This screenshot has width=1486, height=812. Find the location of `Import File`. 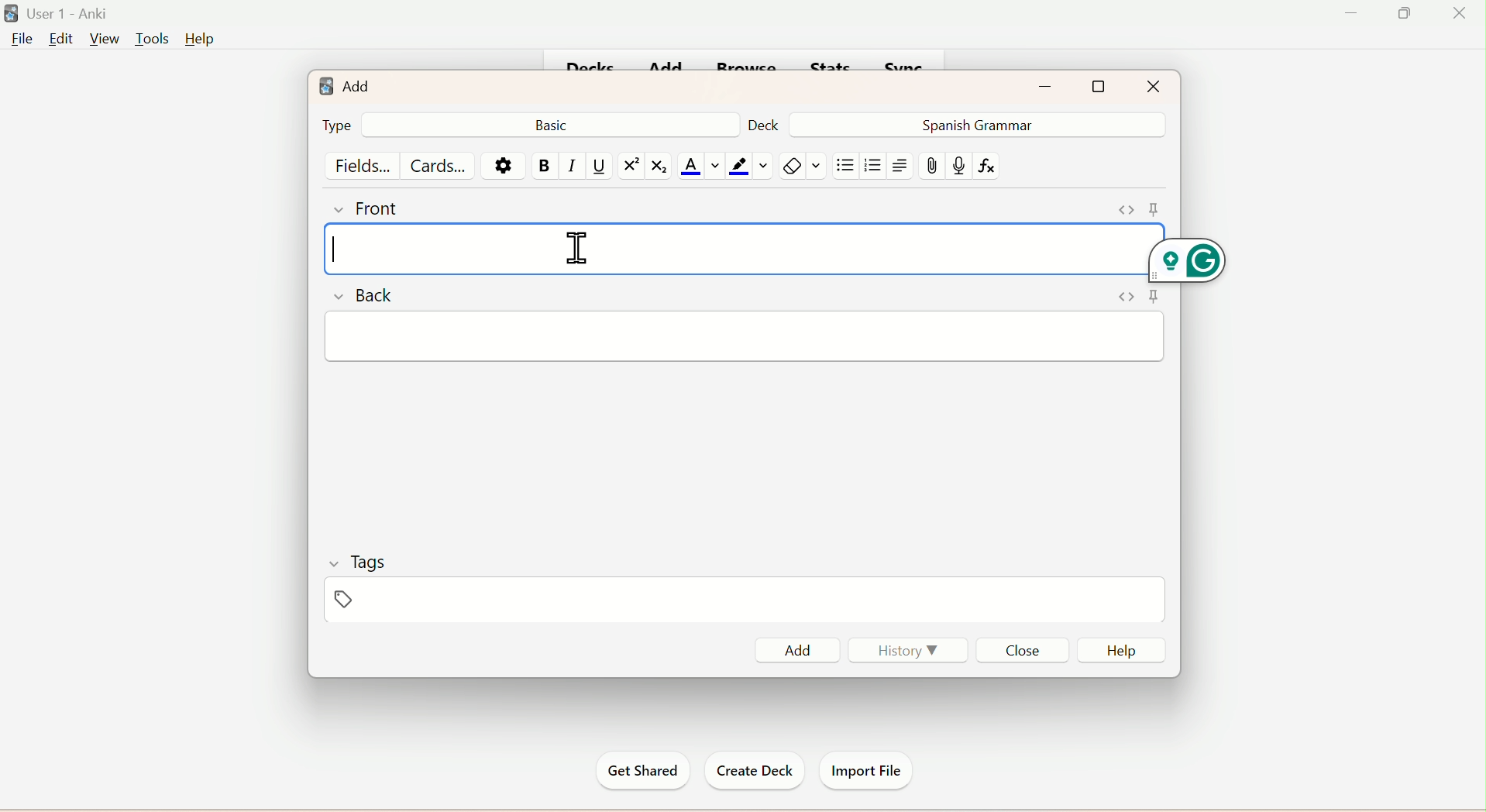

Import File is located at coordinates (865, 769).